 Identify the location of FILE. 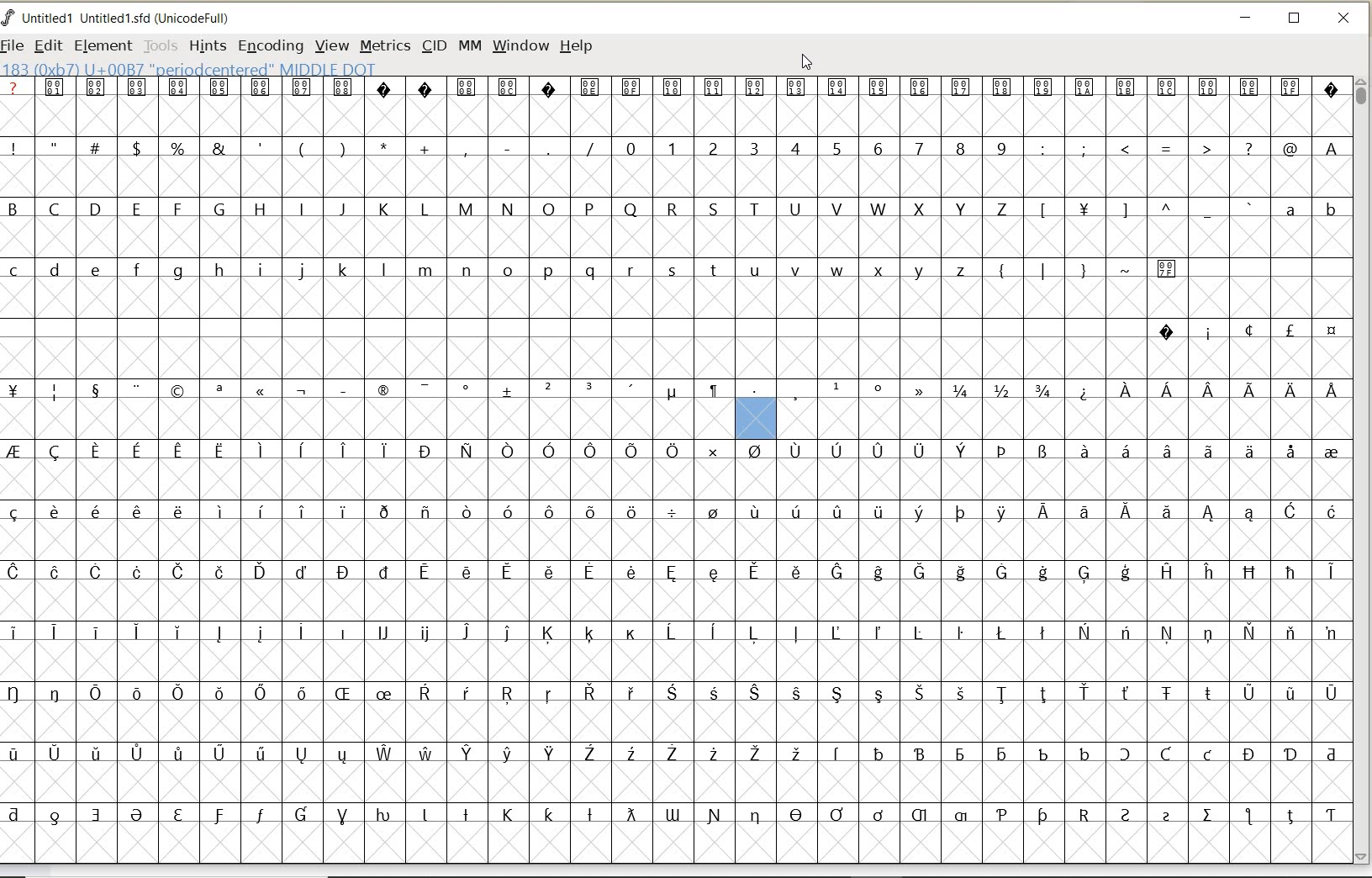
(14, 45).